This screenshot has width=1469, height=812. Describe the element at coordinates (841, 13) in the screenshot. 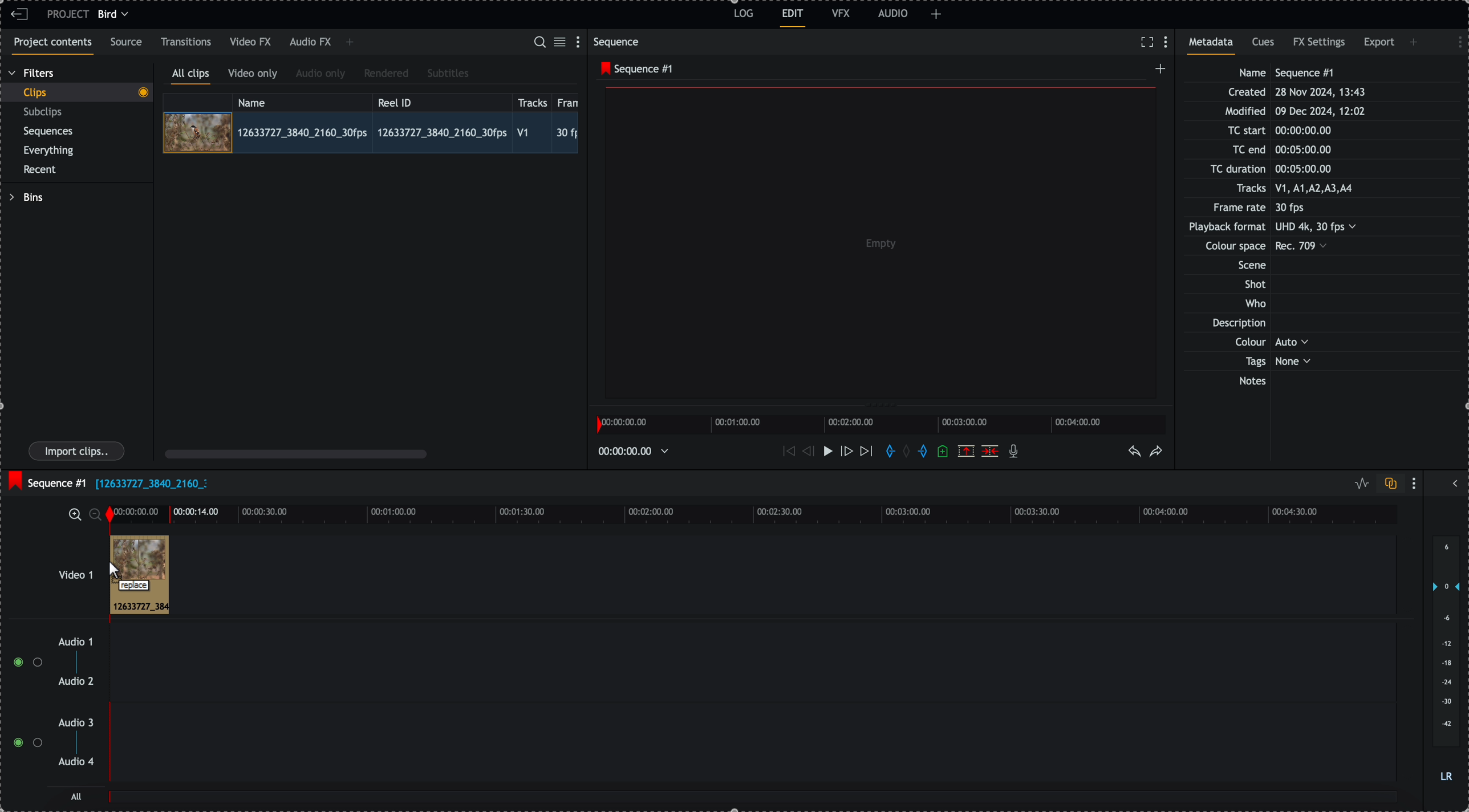

I see `VFX` at that location.